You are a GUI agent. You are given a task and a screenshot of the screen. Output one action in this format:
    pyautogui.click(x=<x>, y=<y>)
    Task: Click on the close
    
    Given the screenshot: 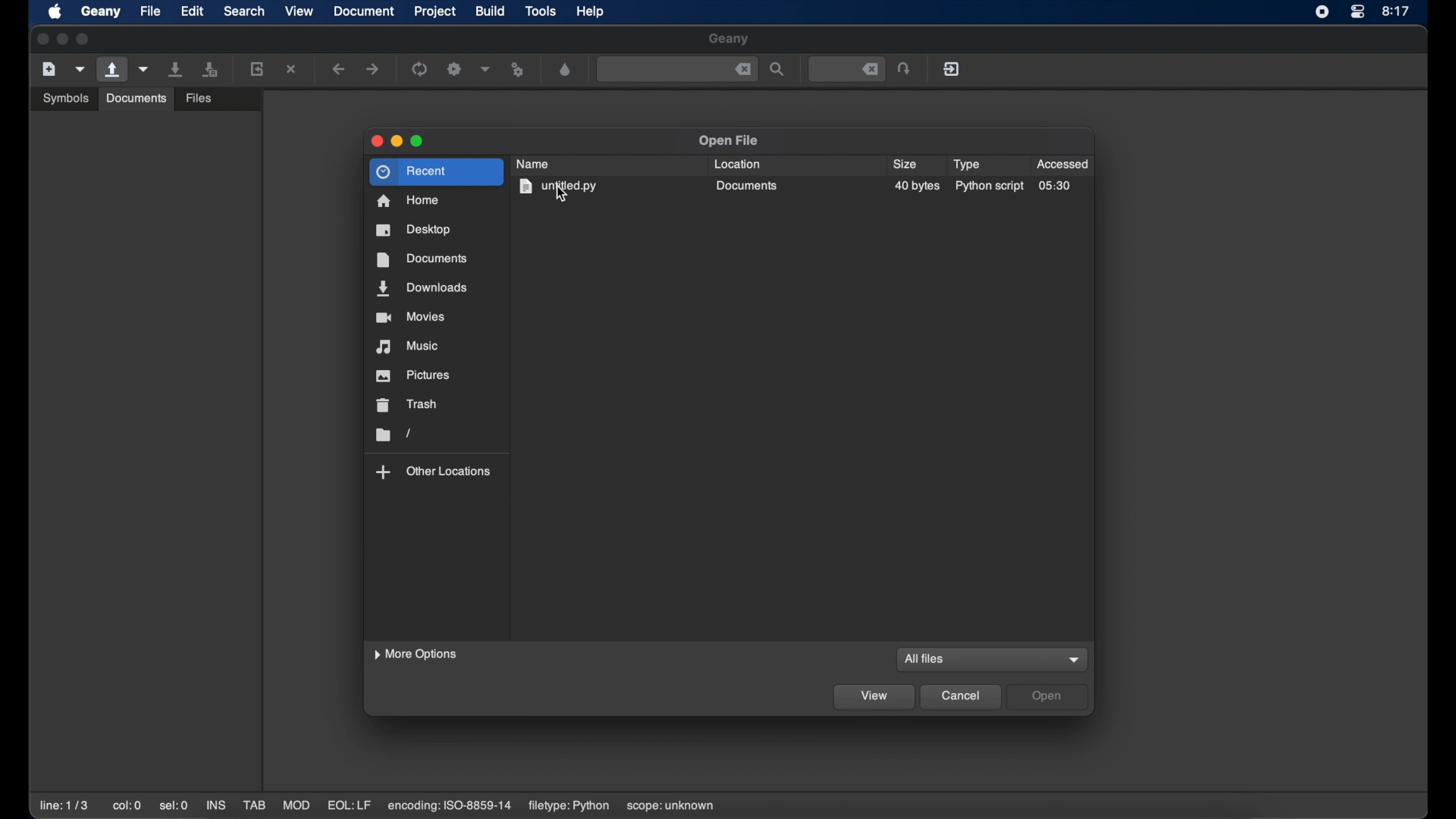 What is the action you would take?
    pyautogui.click(x=377, y=141)
    